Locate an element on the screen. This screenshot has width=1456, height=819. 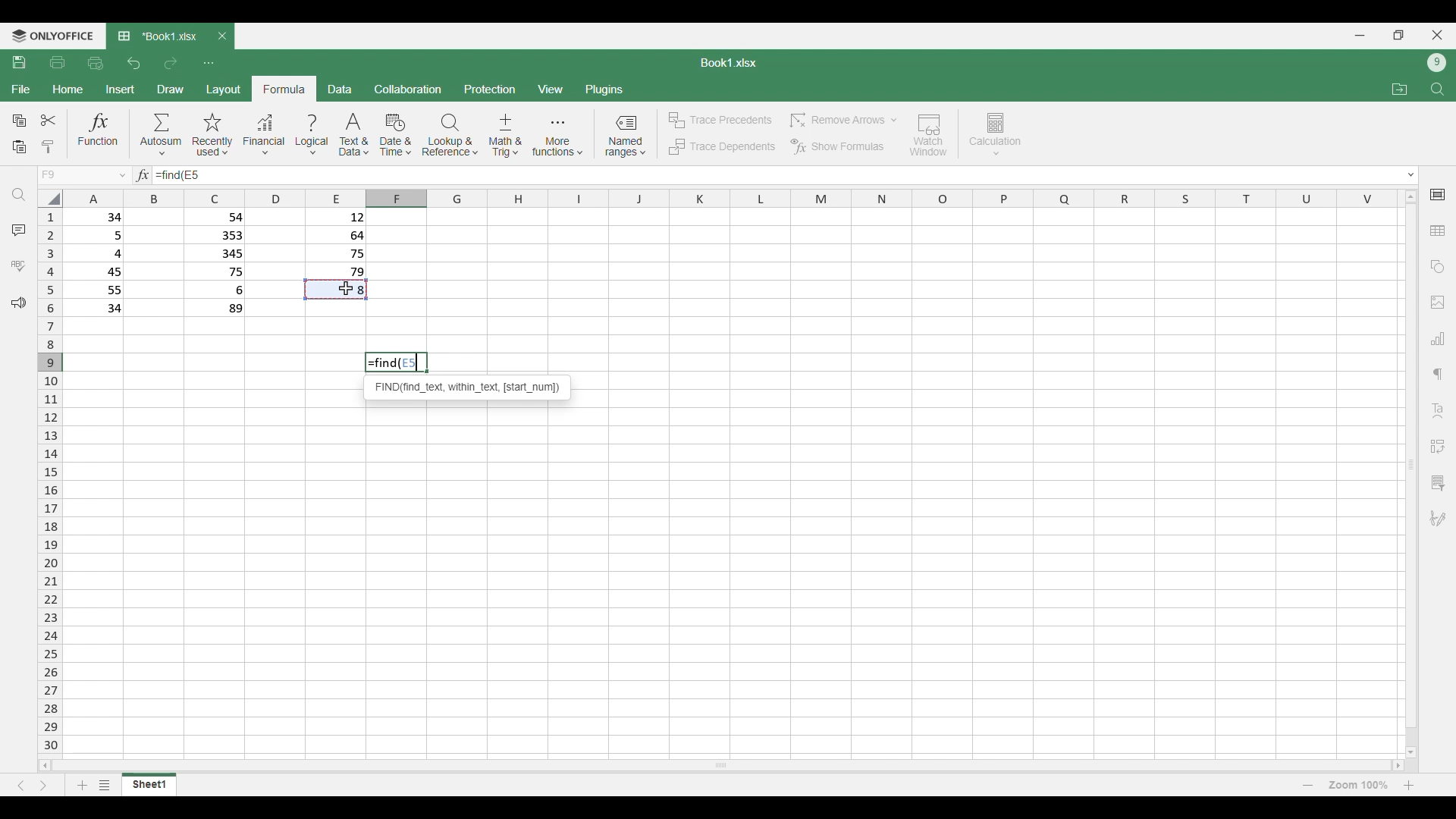
Print file is located at coordinates (58, 63).